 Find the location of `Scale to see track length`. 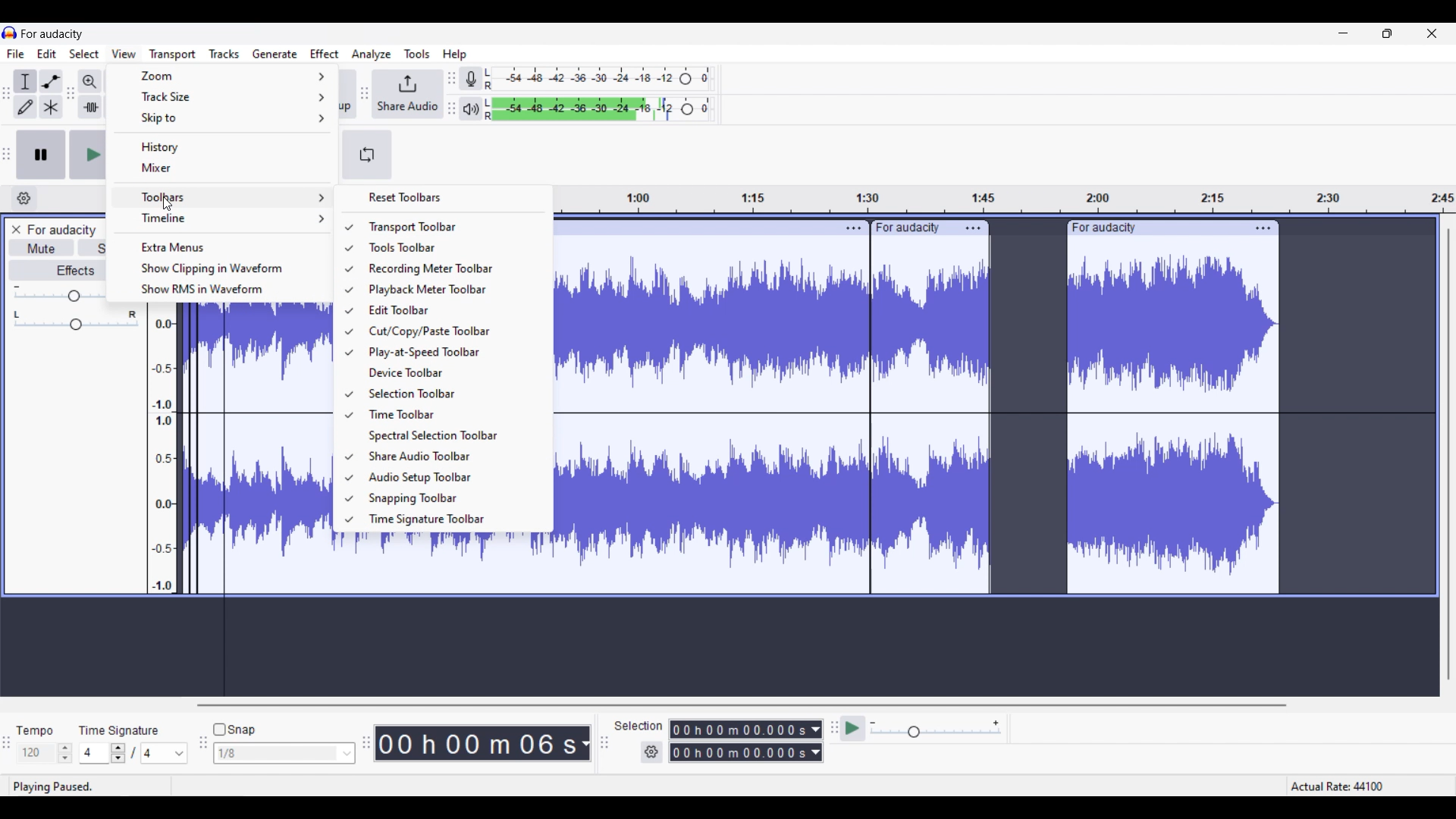

Scale to see track length is located at coordinates (1007, 199).